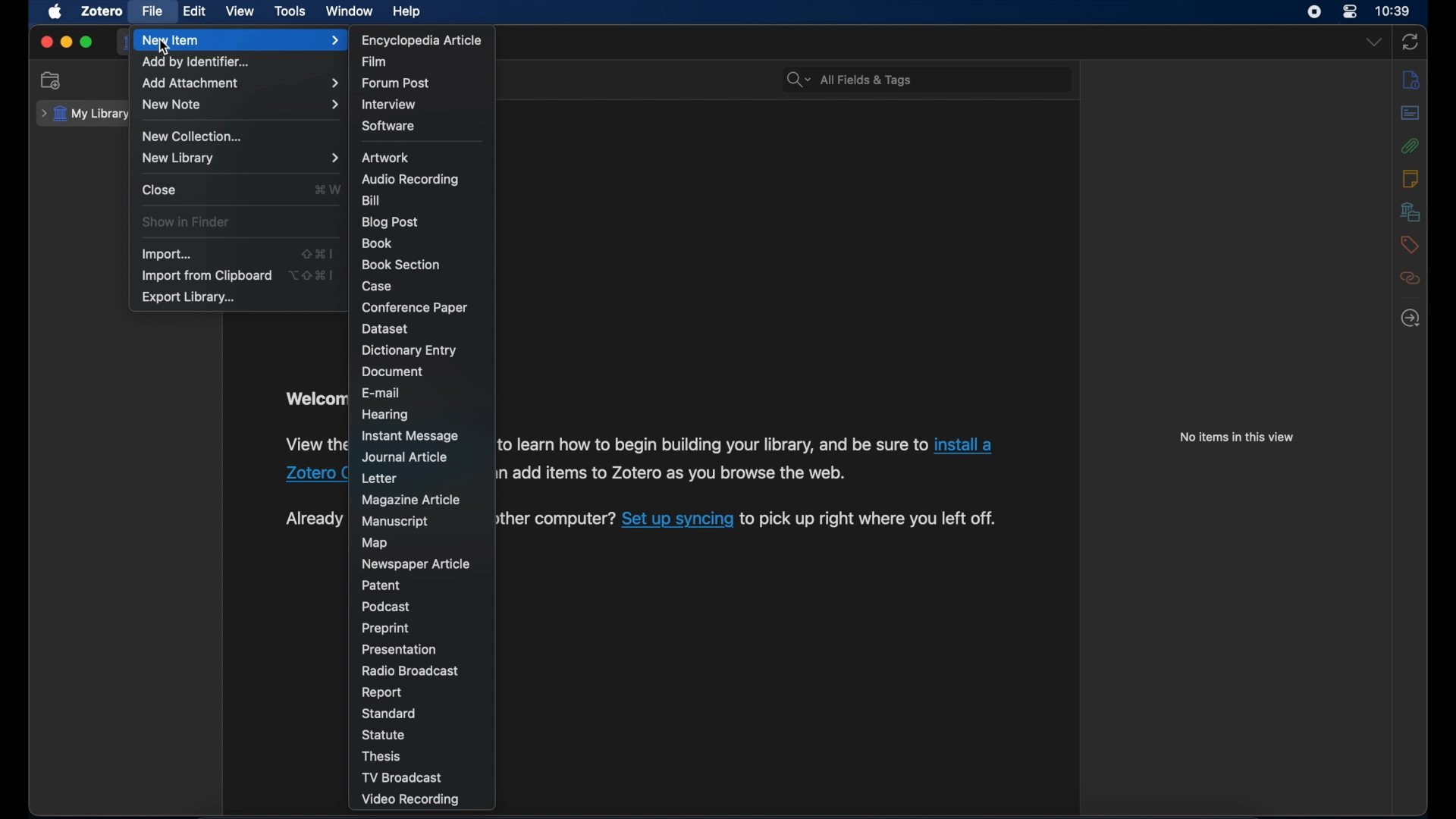 The image size is (1456, 819). What do you see at coordinates (966, 444) in the screenshot?
I see `install a` at bounding box center [966, 444].